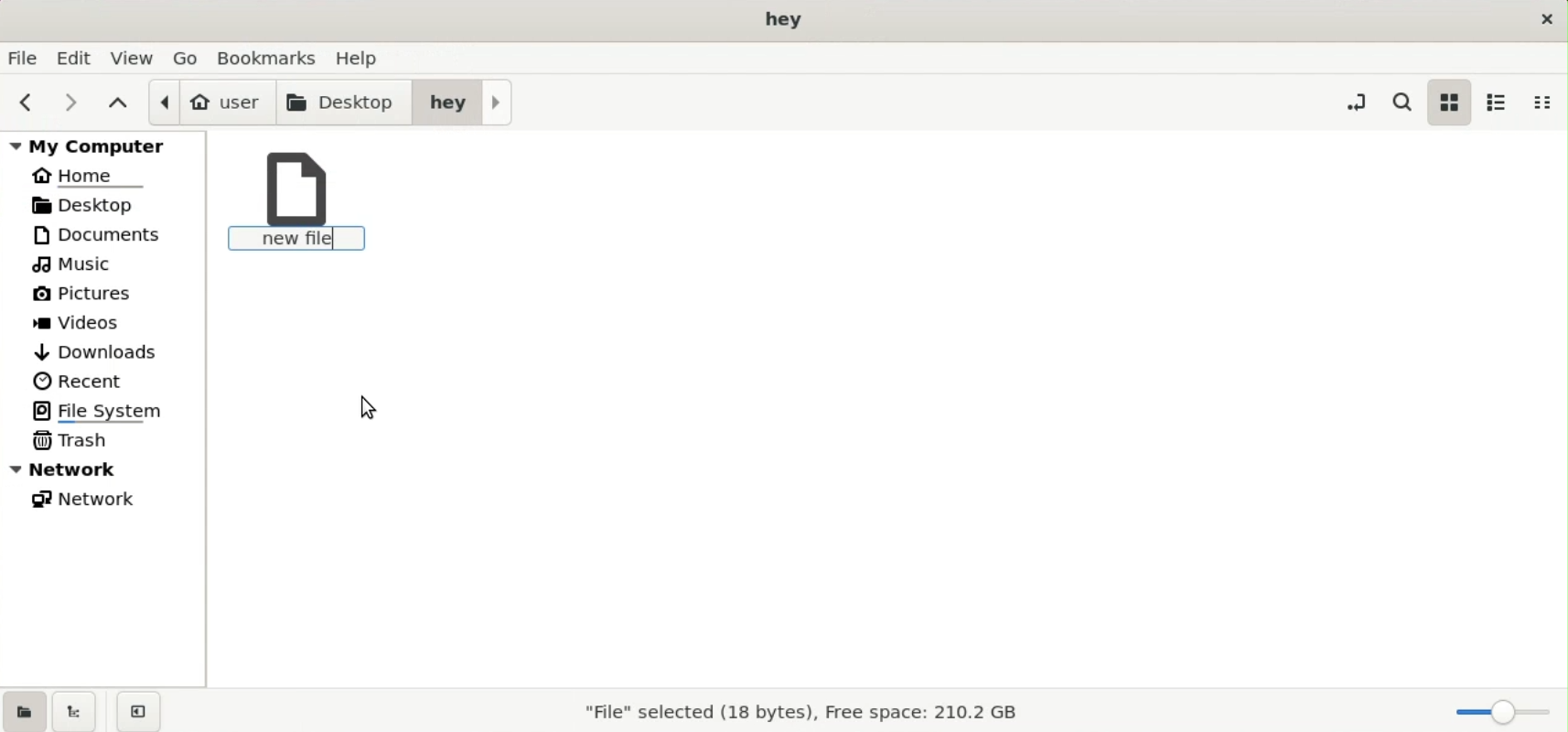 This screenshot has height=732, width=1568. Describe the element at coordinates (65, 102) in the screenshot. I see `next` at that location.